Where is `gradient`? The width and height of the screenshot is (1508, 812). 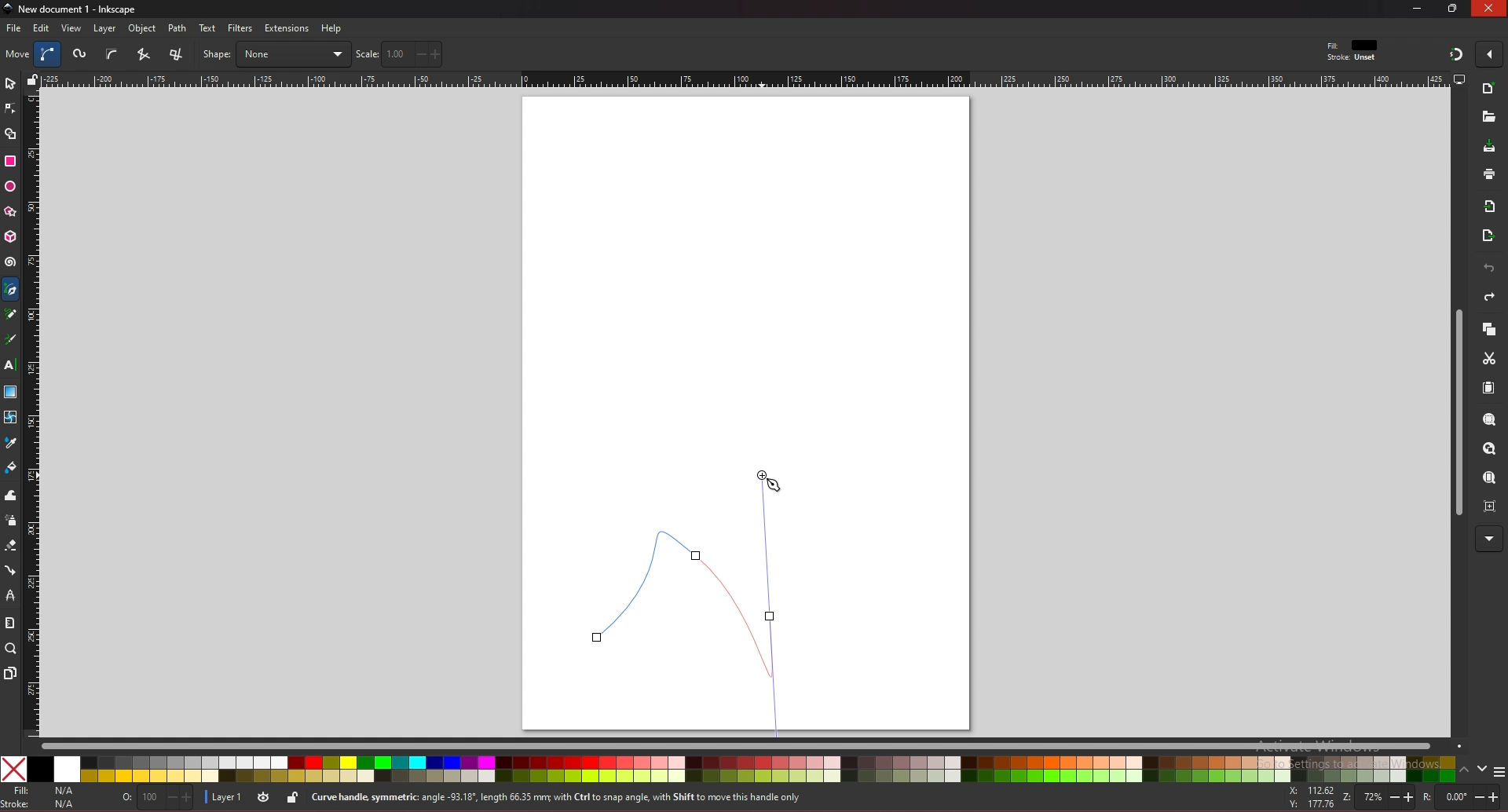 gradient is located at coordinates (11, 392).